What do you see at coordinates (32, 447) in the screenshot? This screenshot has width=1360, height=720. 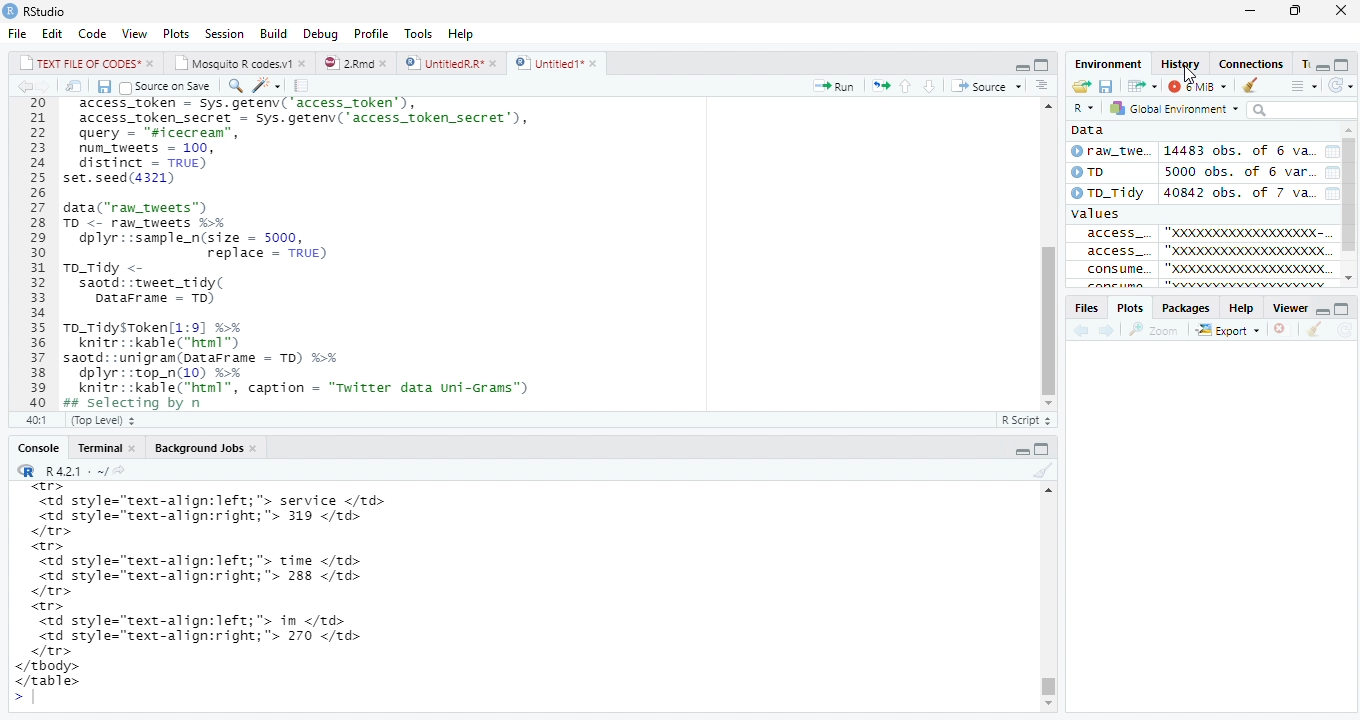 I see `Console` at bounding box center [32, 447].